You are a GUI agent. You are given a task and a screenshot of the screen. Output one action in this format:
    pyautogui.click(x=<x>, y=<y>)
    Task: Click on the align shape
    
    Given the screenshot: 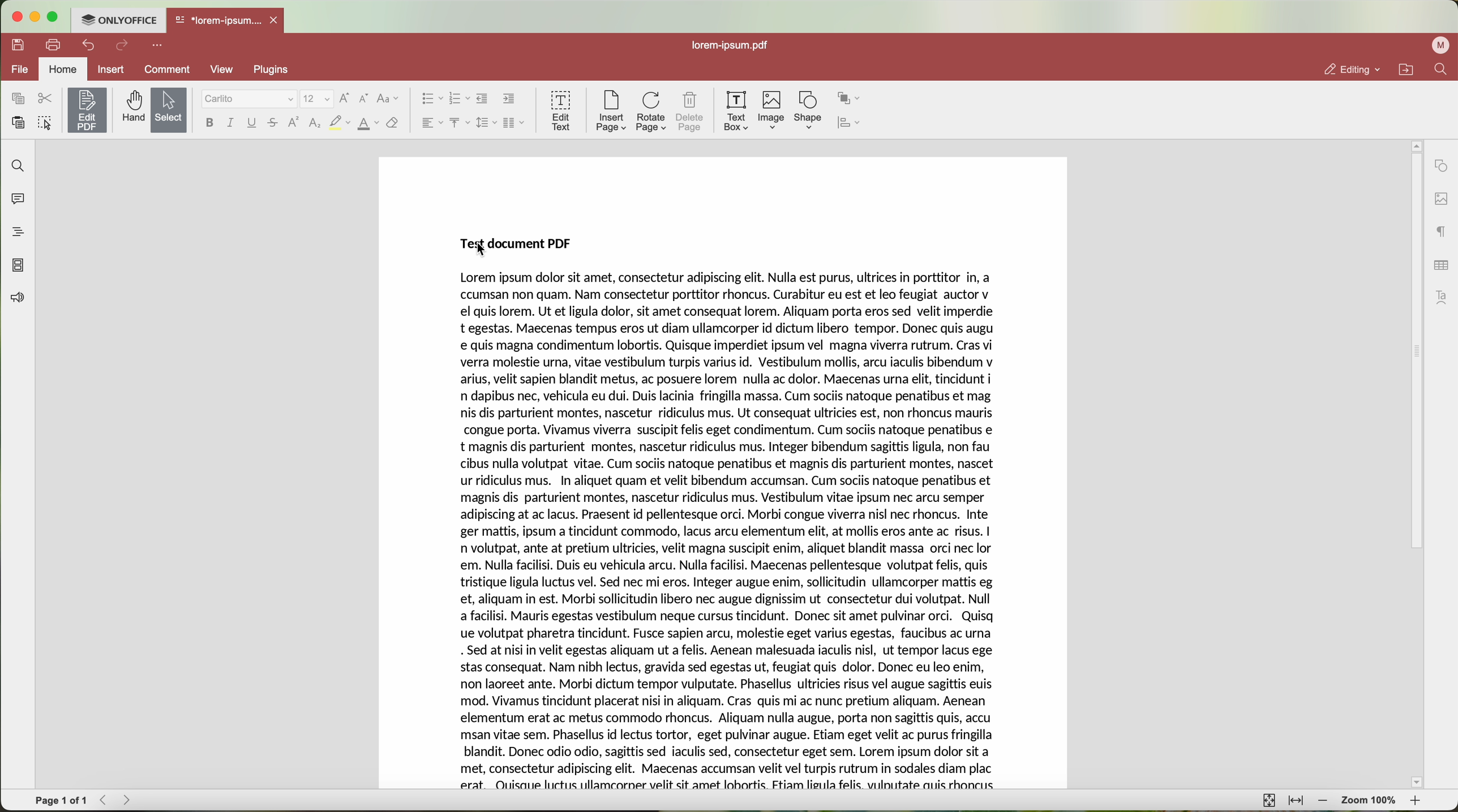 What is the action you would take?
    pyautogui.click(x=848, y=123)
    